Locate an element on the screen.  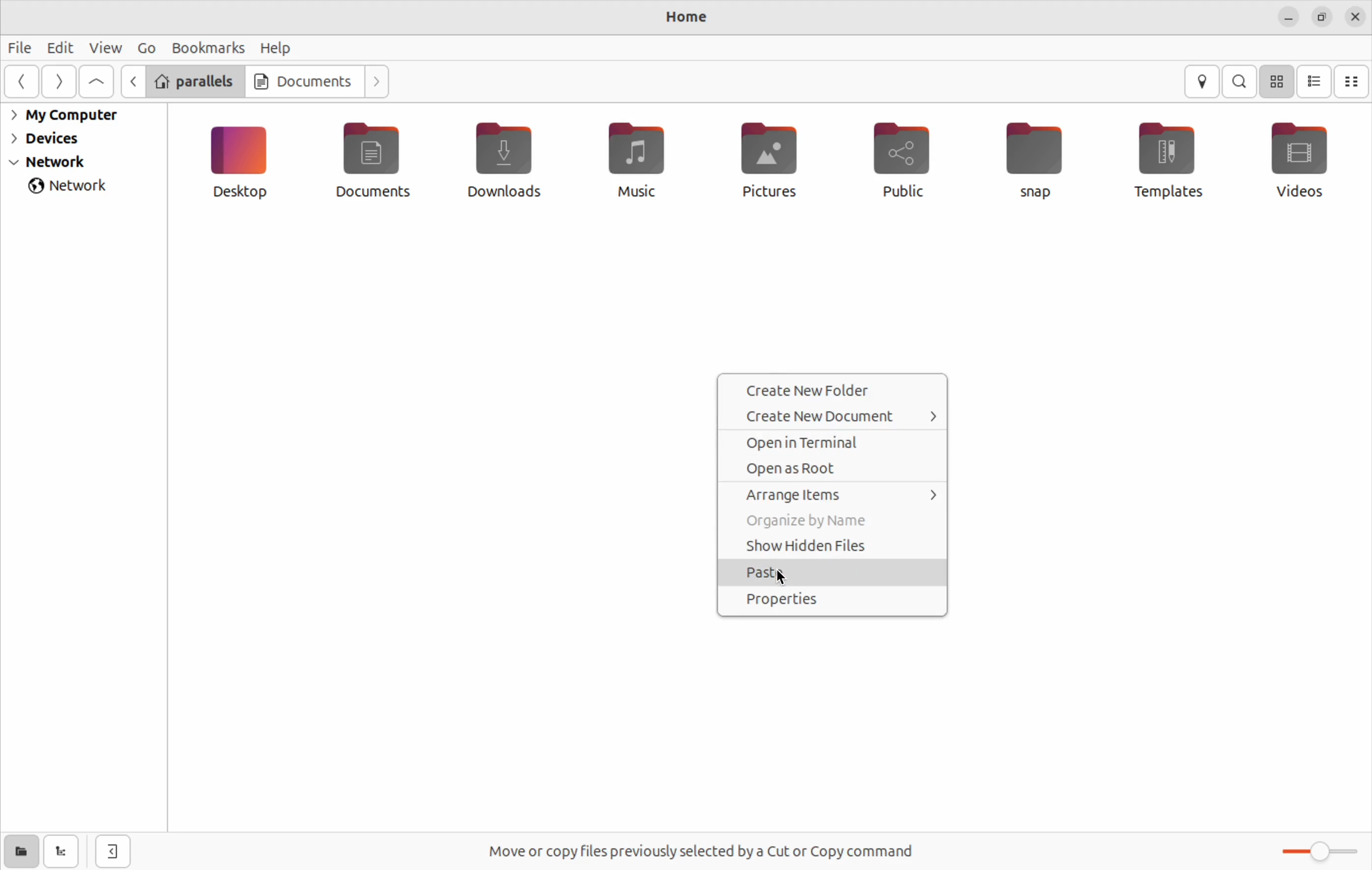
close is located at coordinates (1355, 16).